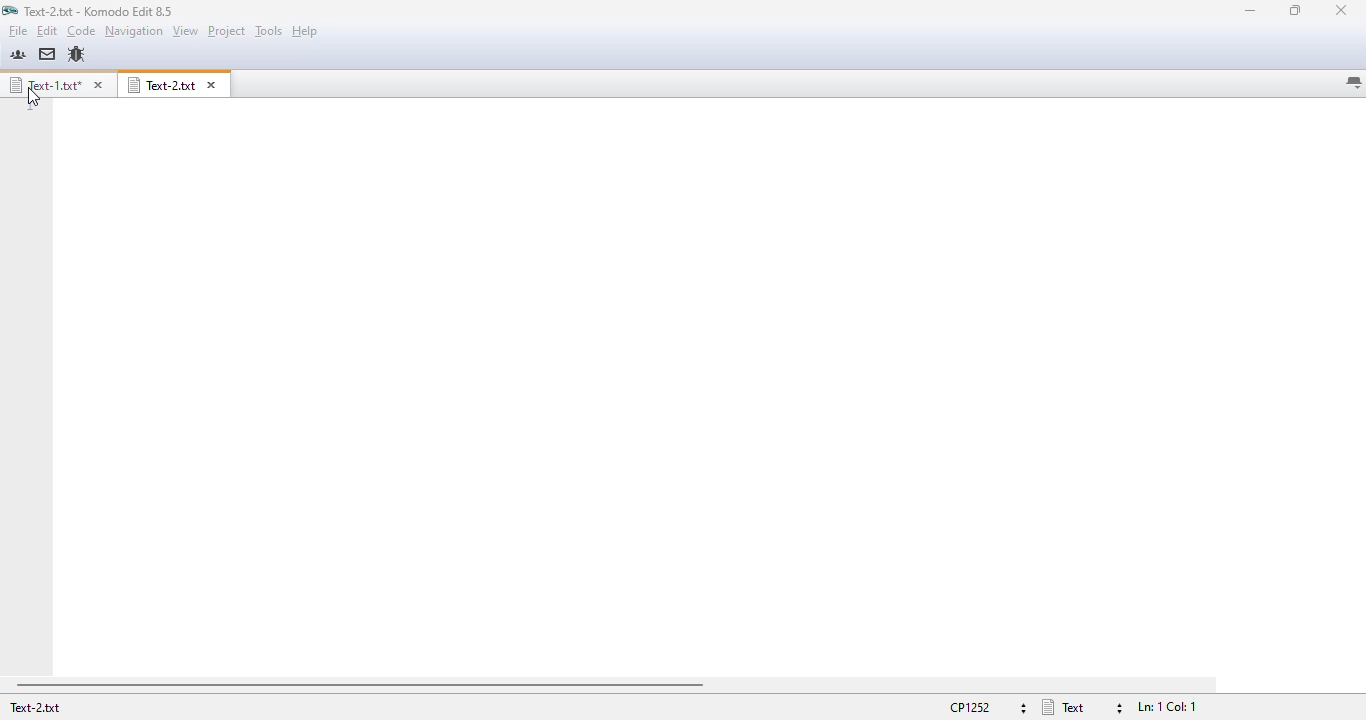 The width and height of the screenshot is (1366, 720). Describe the element at coordinates (1083, 707) in the screenshot. I see `file type` at that location.